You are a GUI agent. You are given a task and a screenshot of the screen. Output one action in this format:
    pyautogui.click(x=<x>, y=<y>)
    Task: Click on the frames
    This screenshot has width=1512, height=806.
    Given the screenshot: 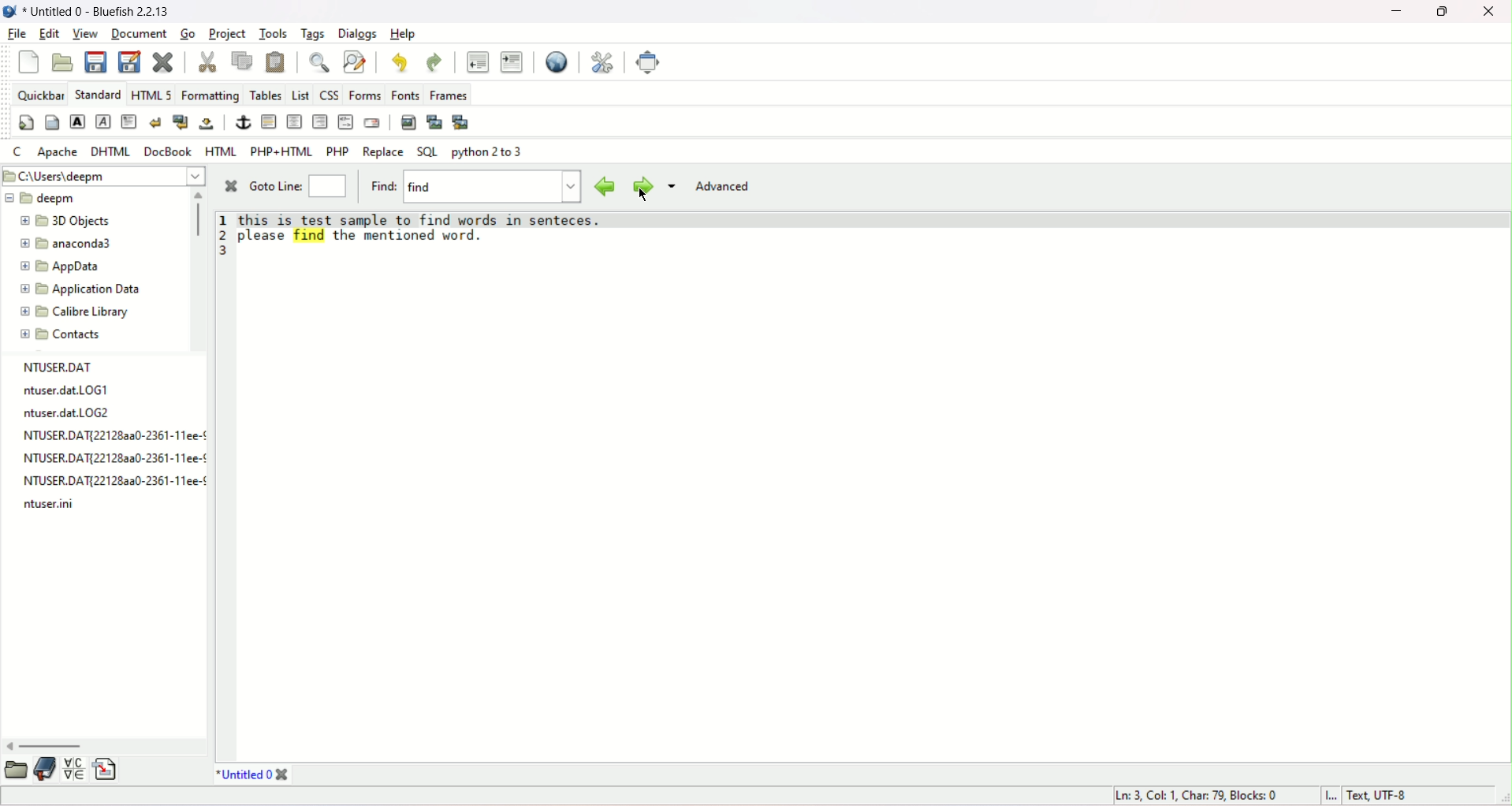 What is the action you would take?
    pyautogui.click(x=449, y=95)
    